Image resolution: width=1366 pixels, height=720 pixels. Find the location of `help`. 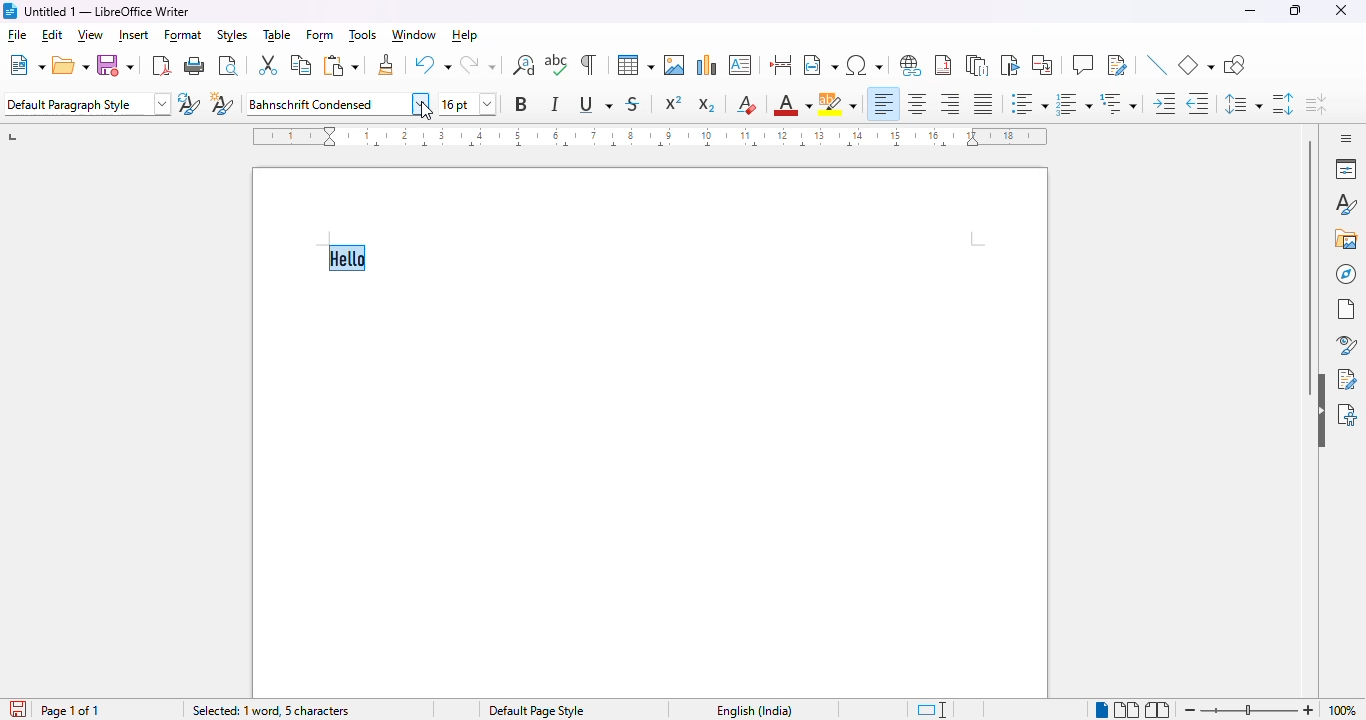

help is located at coordinates (466, 36).